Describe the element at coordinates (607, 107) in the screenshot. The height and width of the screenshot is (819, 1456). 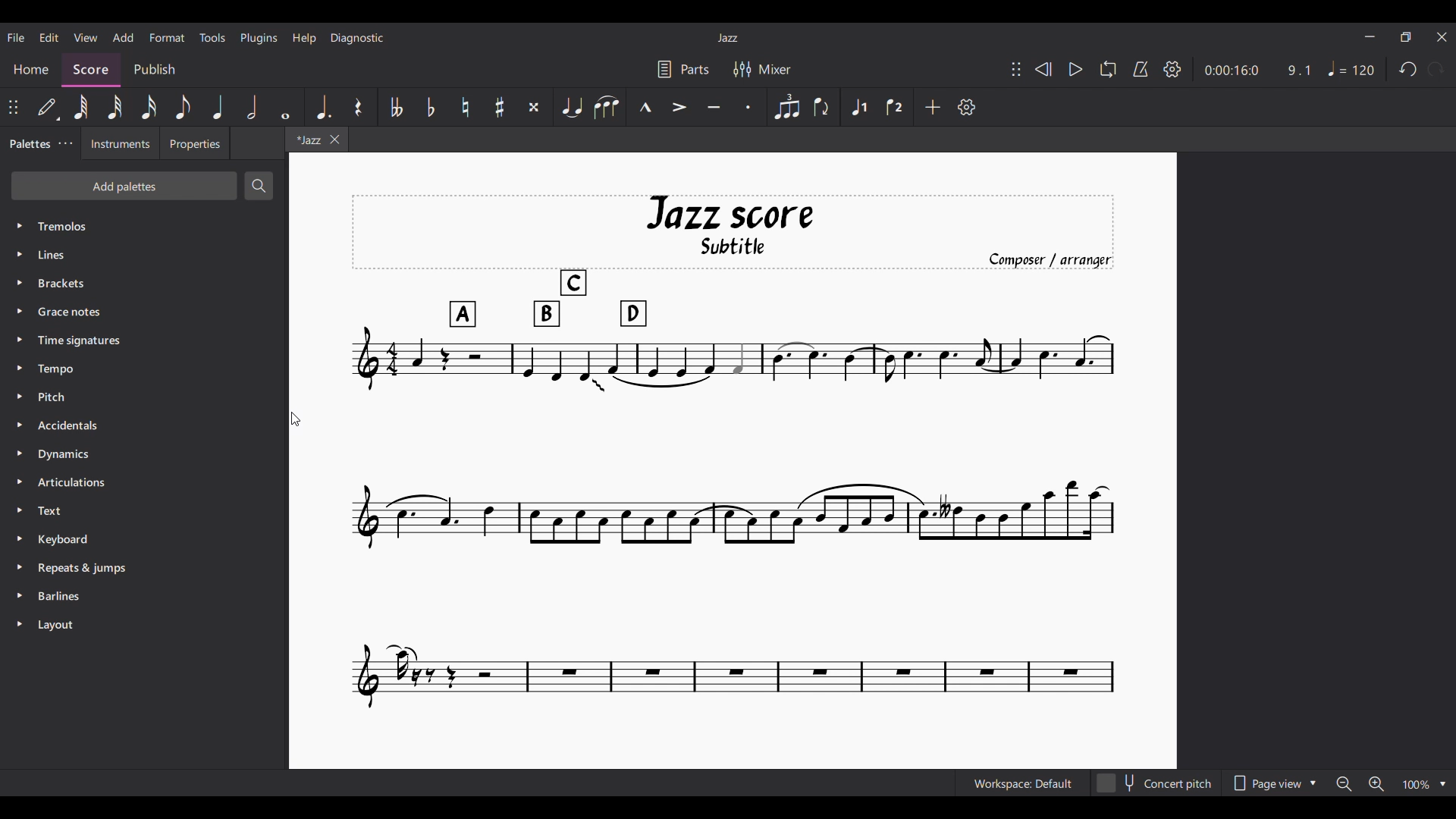
I see `Slur` at that location.